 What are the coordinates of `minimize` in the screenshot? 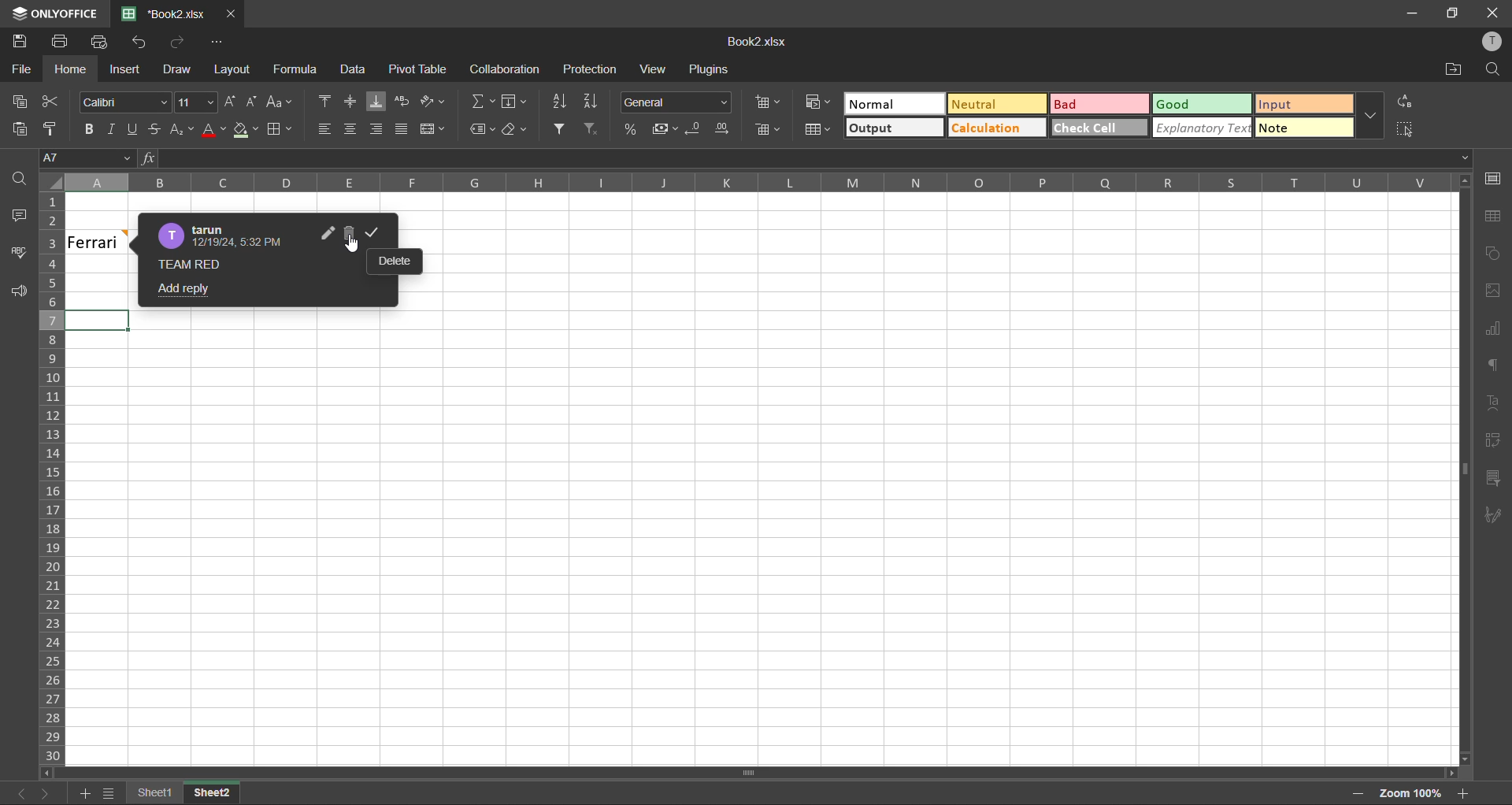 It's located at (1414, 13).